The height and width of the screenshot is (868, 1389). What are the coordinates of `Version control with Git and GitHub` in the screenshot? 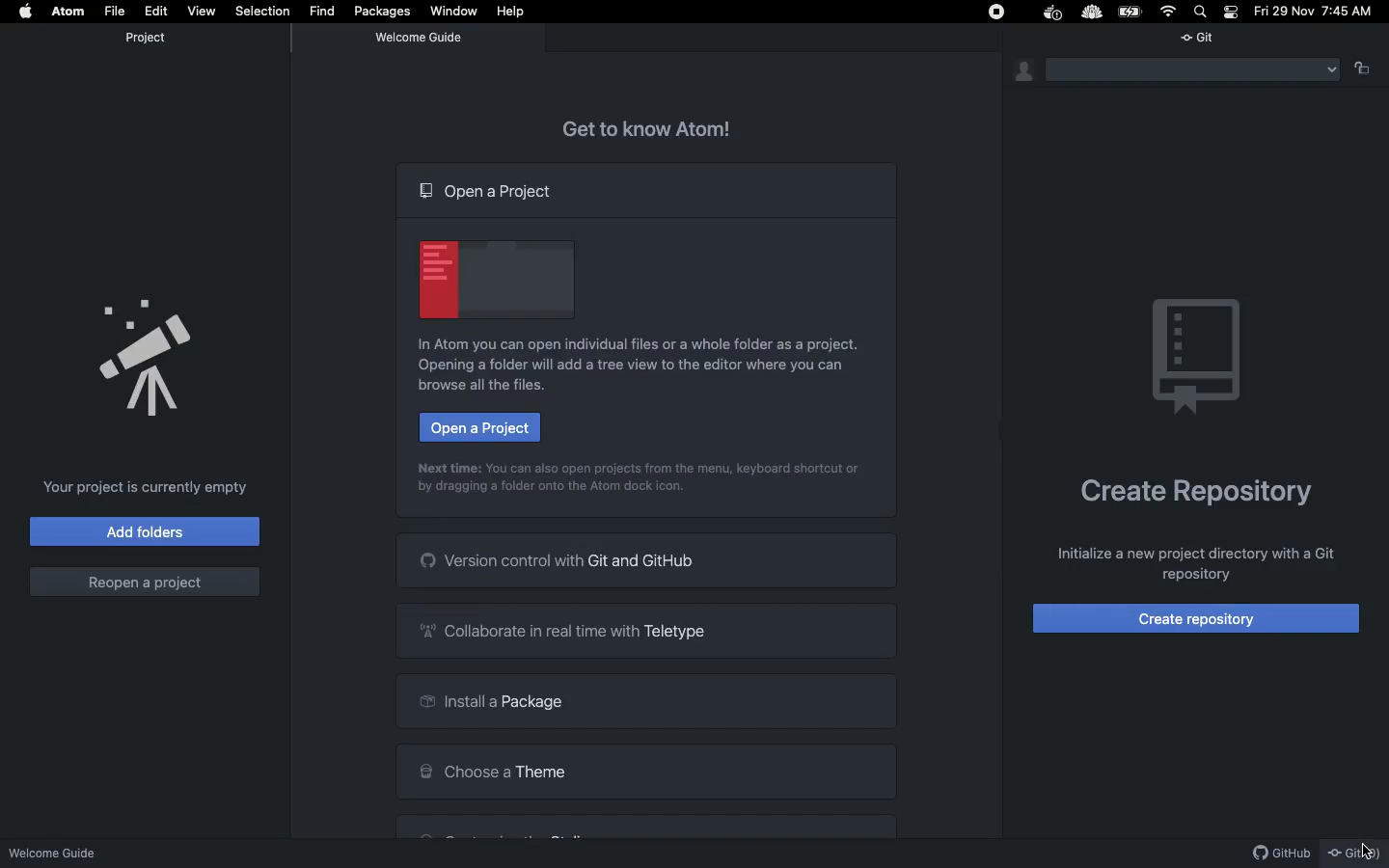 It's located at (646, 560).